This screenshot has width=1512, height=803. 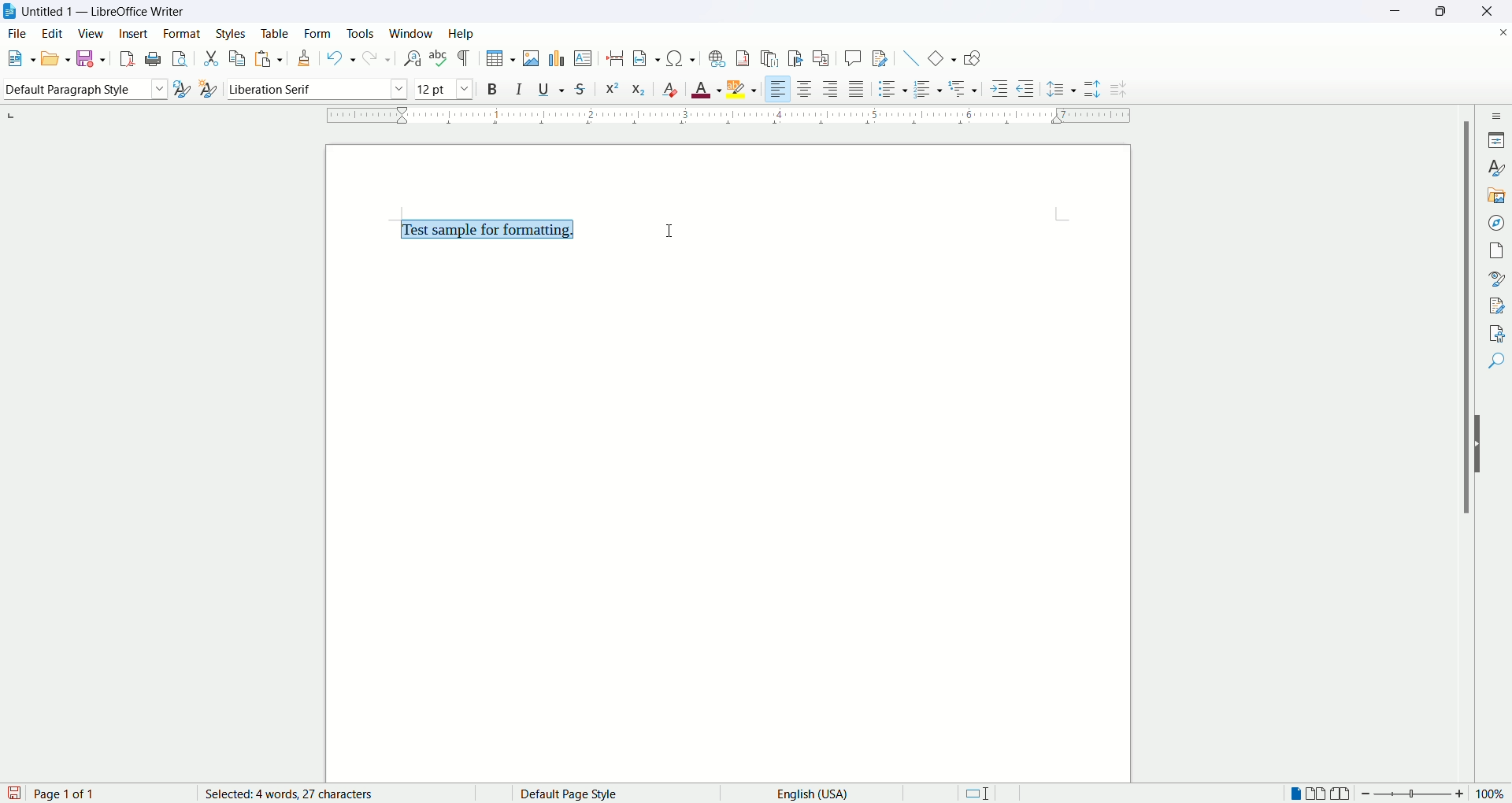 I want to click on open, so click(x=54, y=60).